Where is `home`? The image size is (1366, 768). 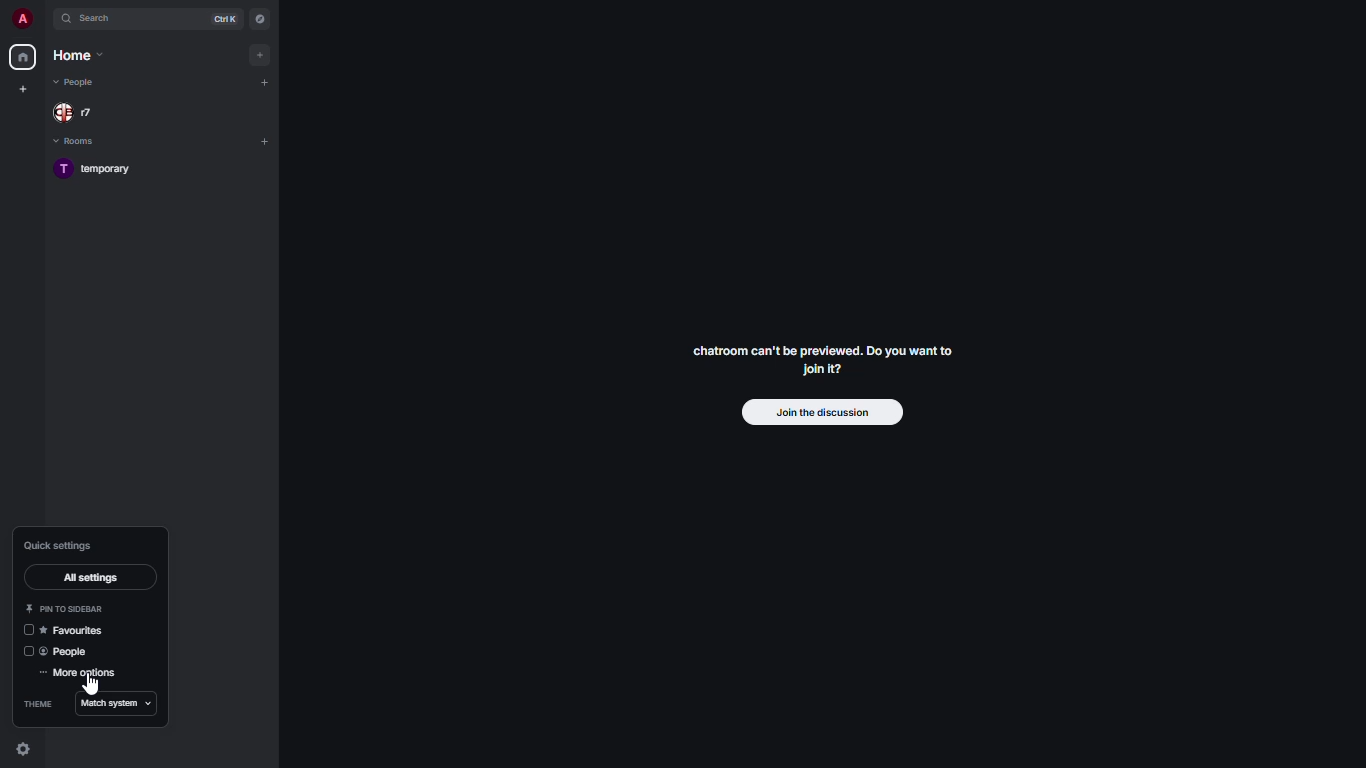
home is located at coordinates (24, 58).